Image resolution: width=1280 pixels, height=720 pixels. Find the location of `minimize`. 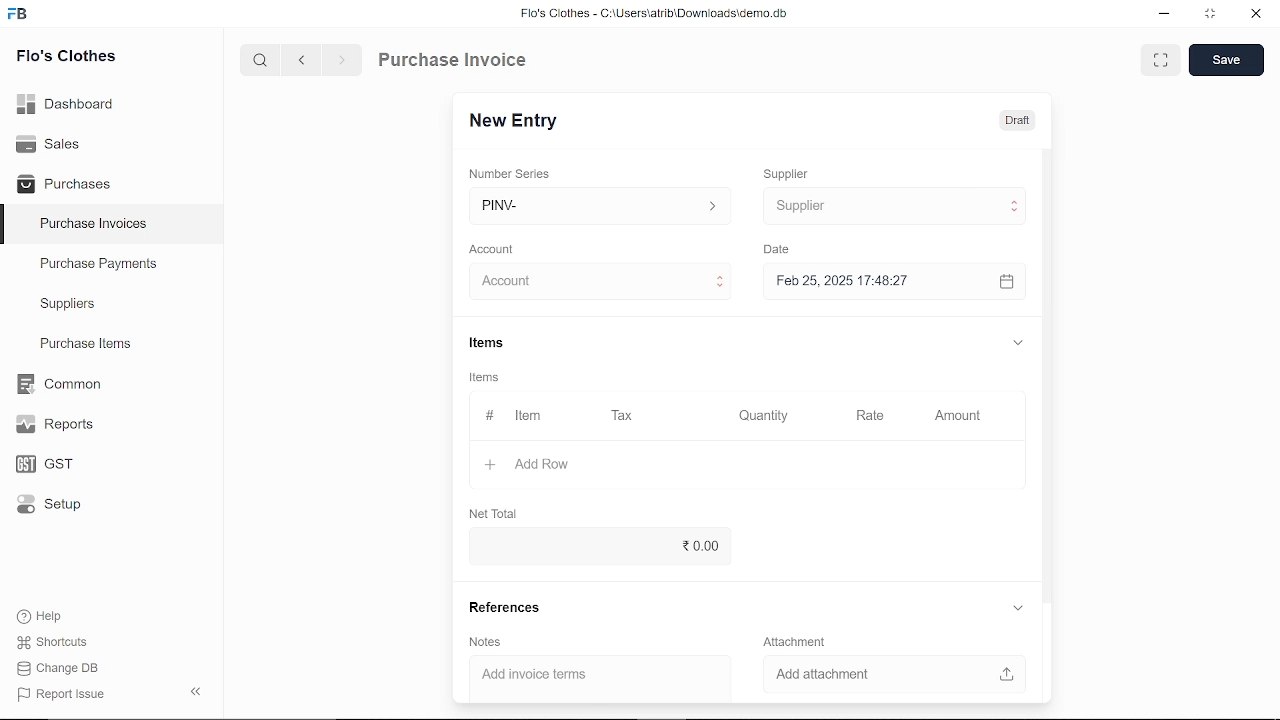

minimize is located at coordinates (1162, 14).